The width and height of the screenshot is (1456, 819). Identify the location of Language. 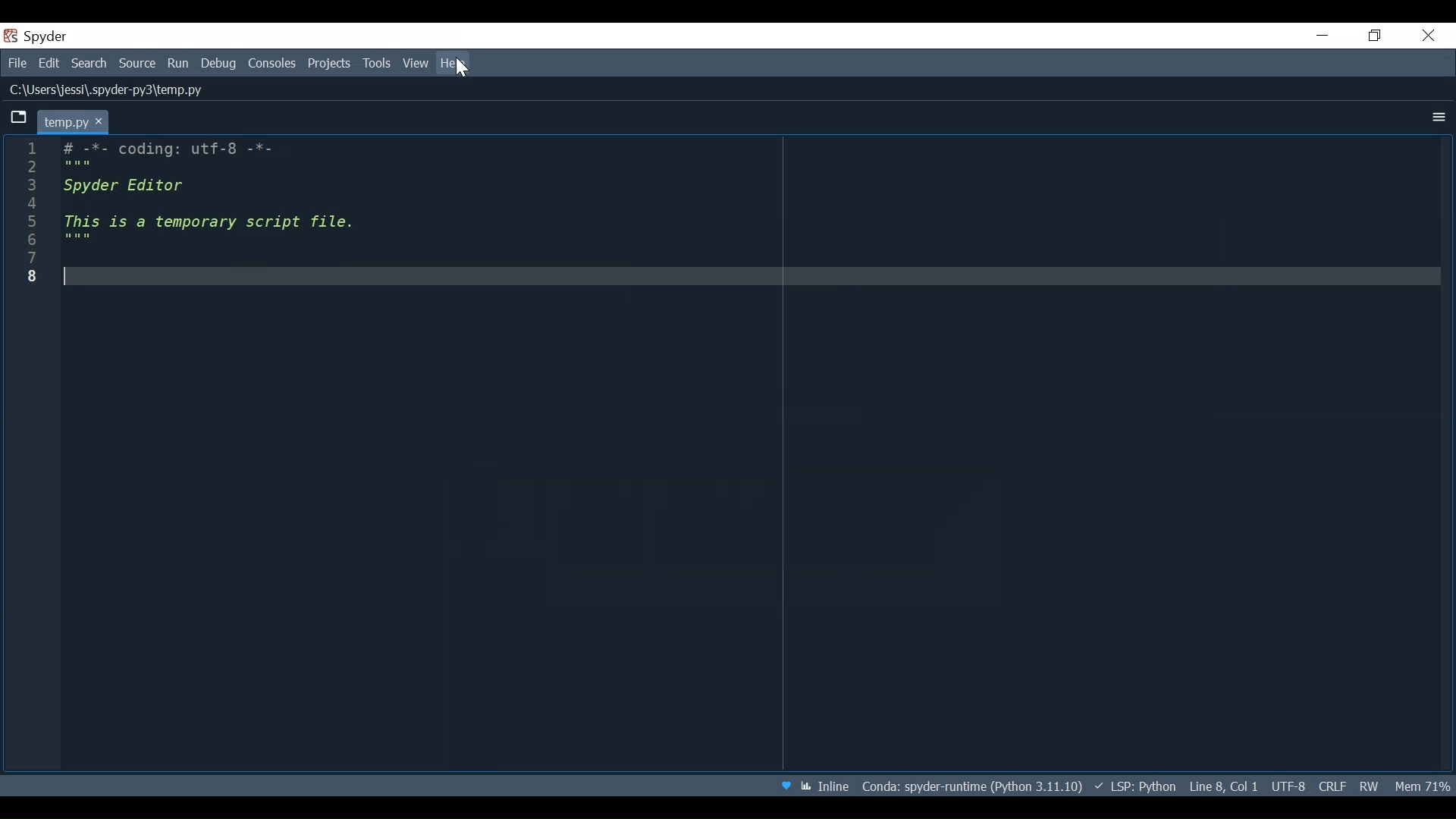
(1136, 788).